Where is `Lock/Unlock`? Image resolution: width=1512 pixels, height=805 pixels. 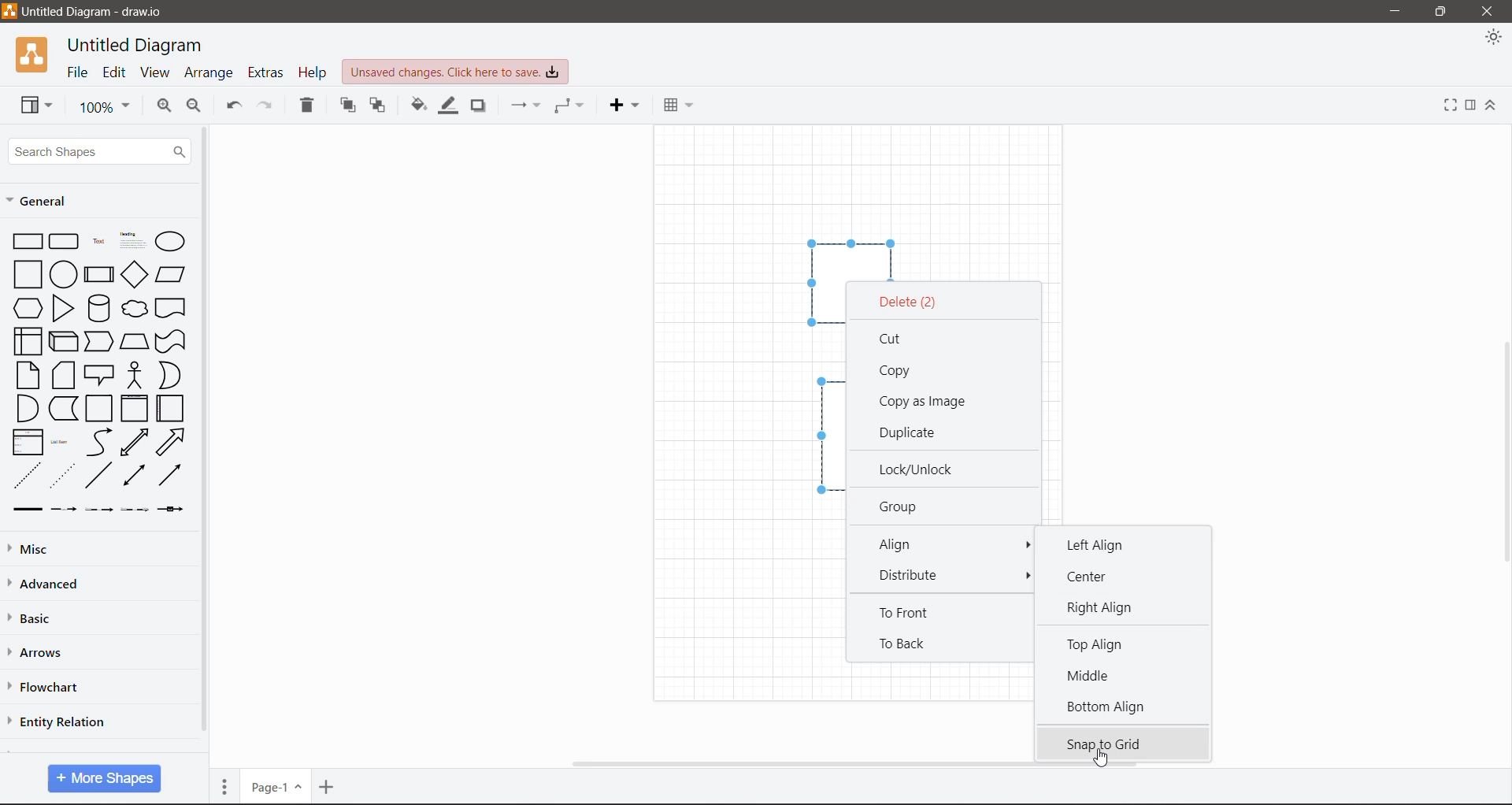
Lock/Unlock is located at coordinates (920, 469).